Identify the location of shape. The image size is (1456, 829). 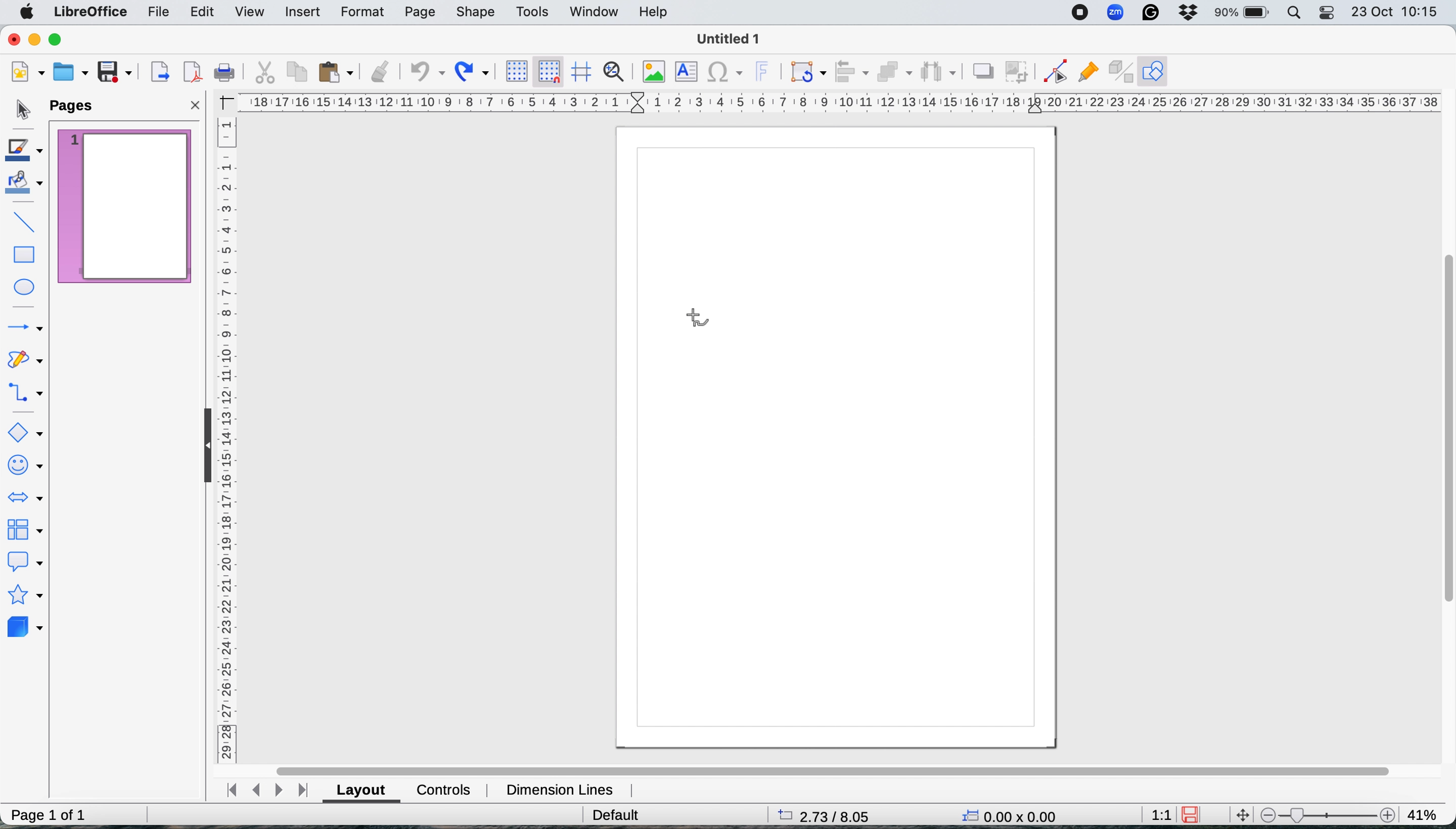
(477, 13).